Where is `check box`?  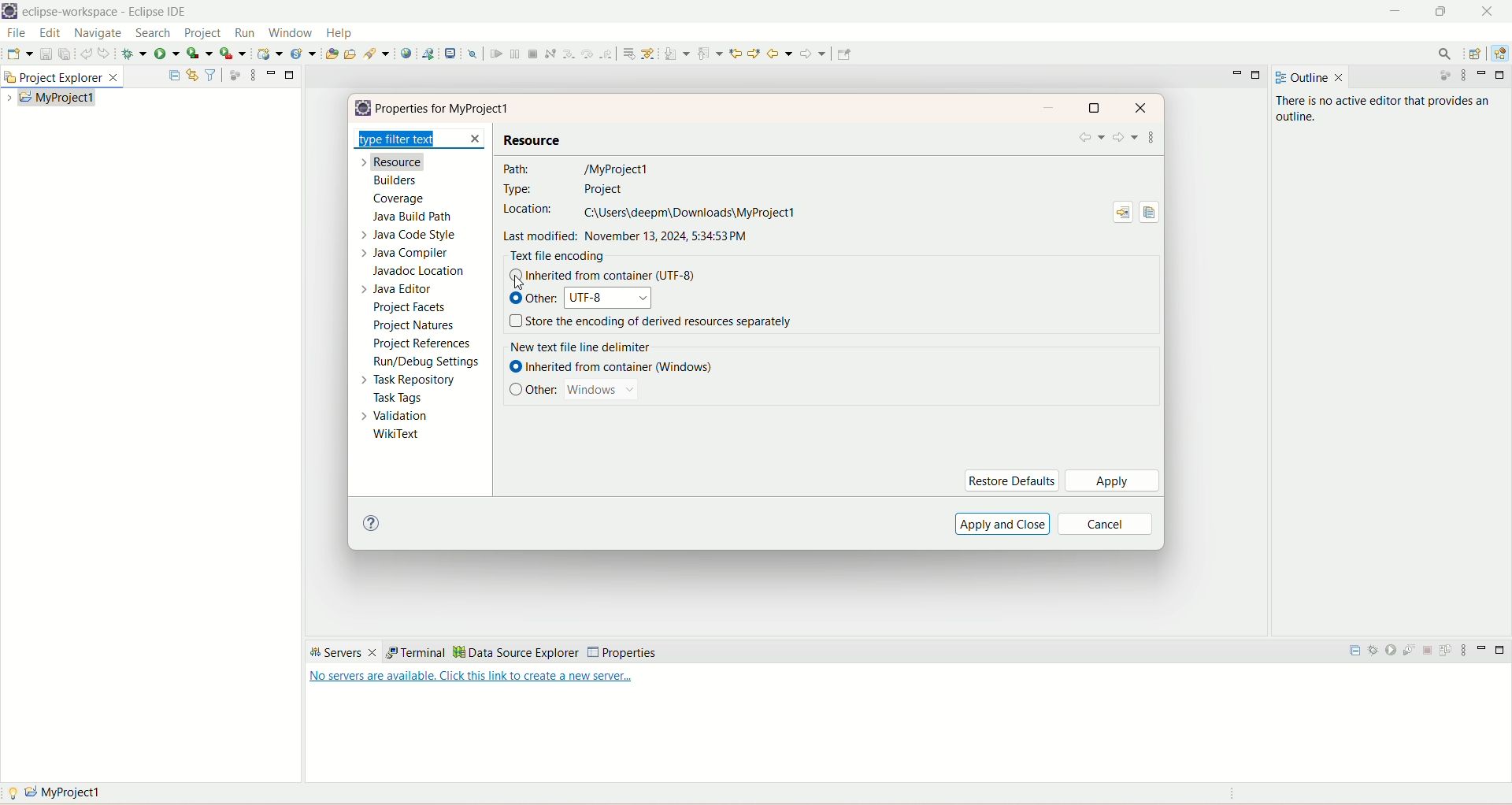 check box is located at coordinates (516, 302).